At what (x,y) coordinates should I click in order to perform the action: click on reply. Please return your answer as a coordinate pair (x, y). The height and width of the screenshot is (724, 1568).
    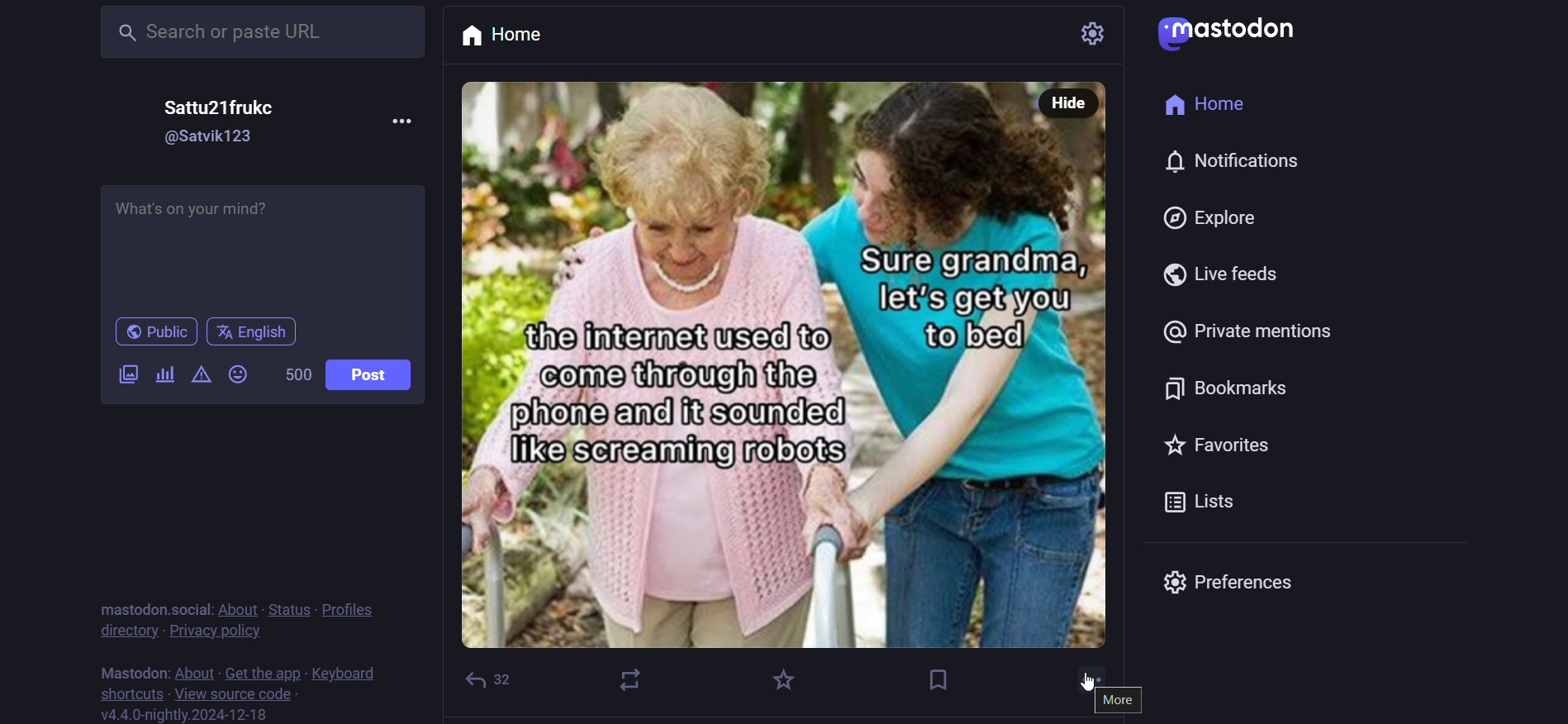
    Looking at the image, I should click on (485, 676).